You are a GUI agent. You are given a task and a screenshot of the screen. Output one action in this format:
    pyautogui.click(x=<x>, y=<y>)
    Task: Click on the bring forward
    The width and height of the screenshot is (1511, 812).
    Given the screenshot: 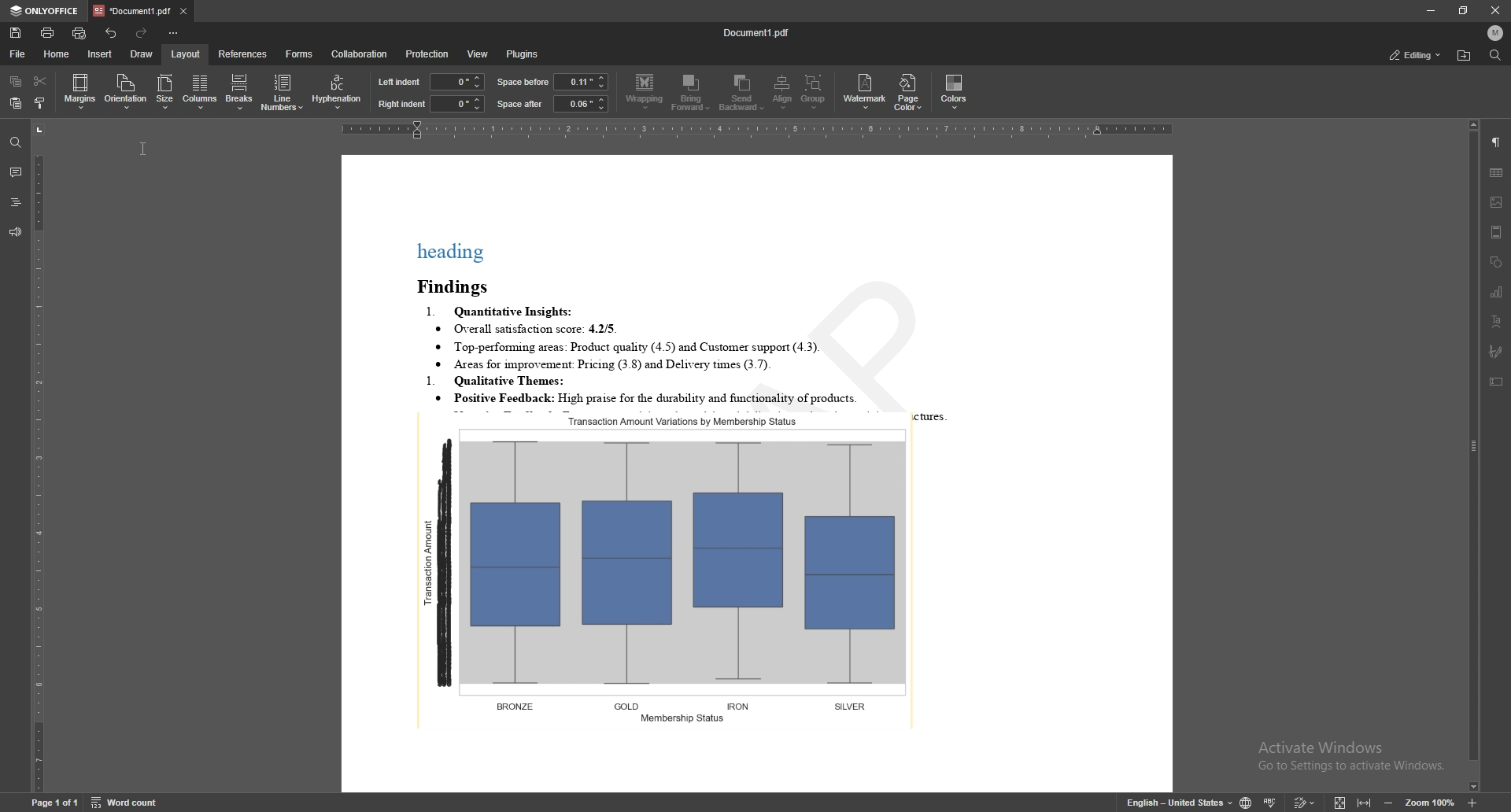 What is the action you would take?
    pyautogui.click(x=690, y=93)
    